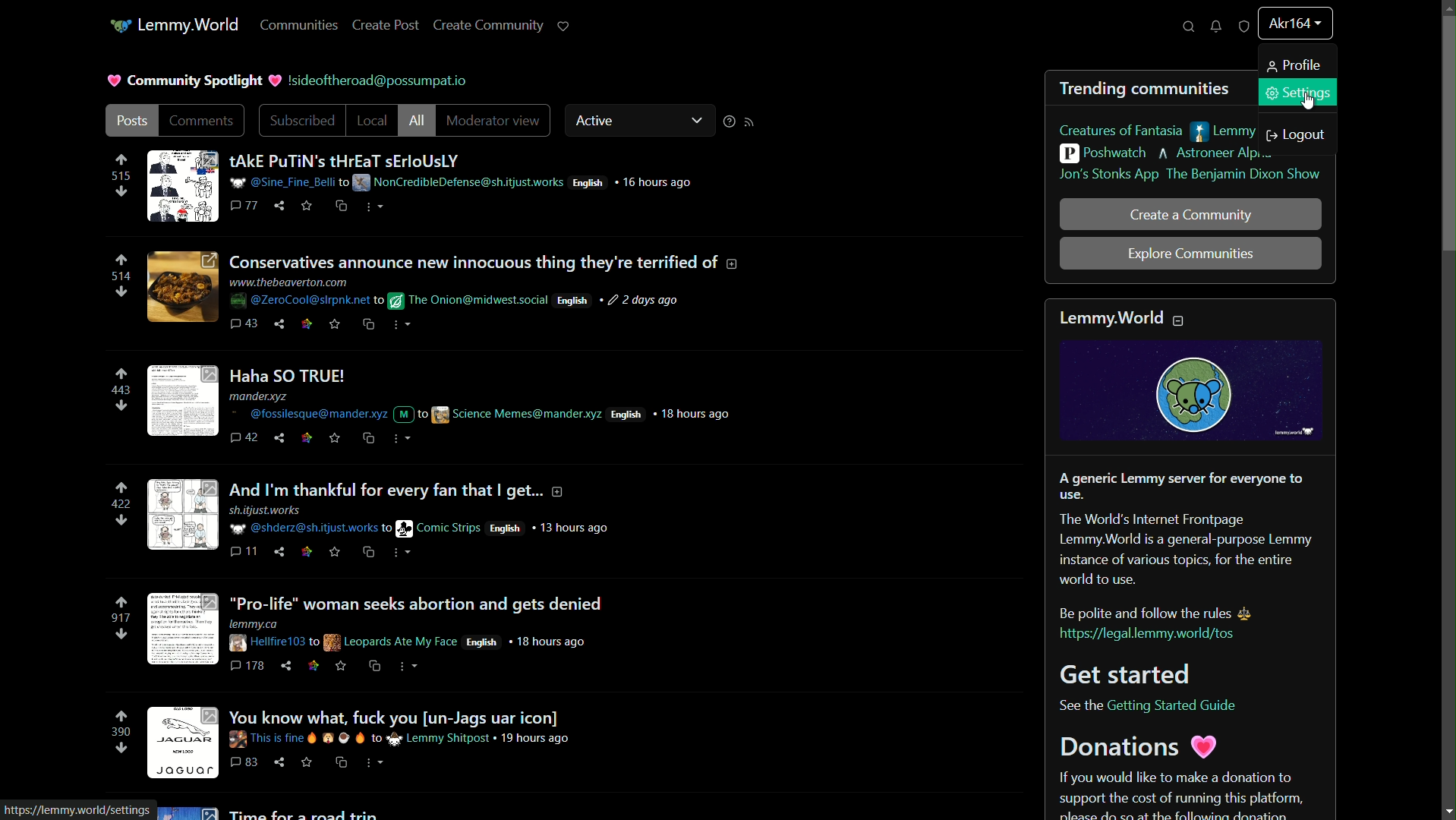 The width and height of the screenshot is (1456, 820). What do you see at coordinates (730, 124) in the screenshot?
I see `sorting help` at bounding box center [730, 124].